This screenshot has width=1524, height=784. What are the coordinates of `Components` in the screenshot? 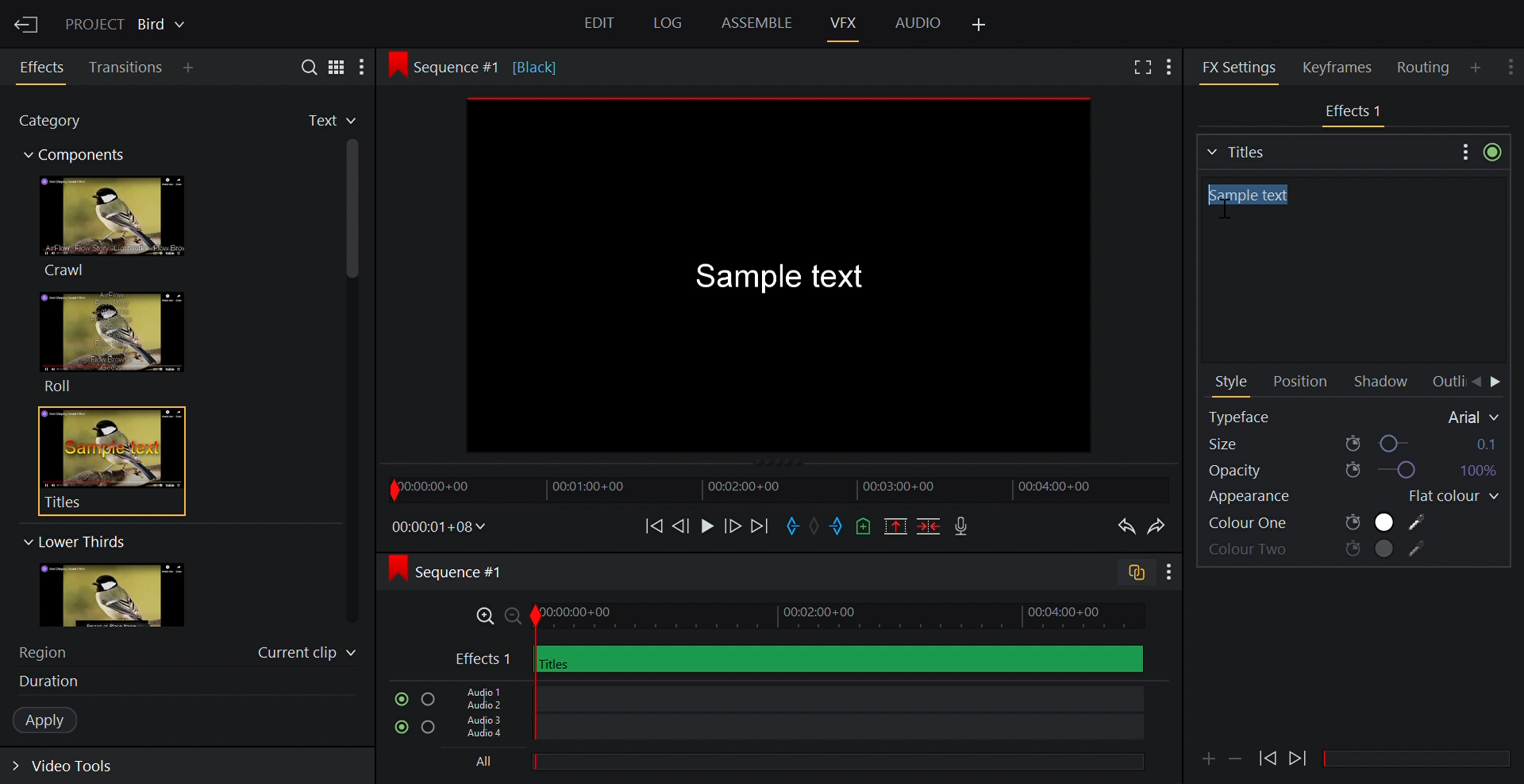 It's located at (82, 157).